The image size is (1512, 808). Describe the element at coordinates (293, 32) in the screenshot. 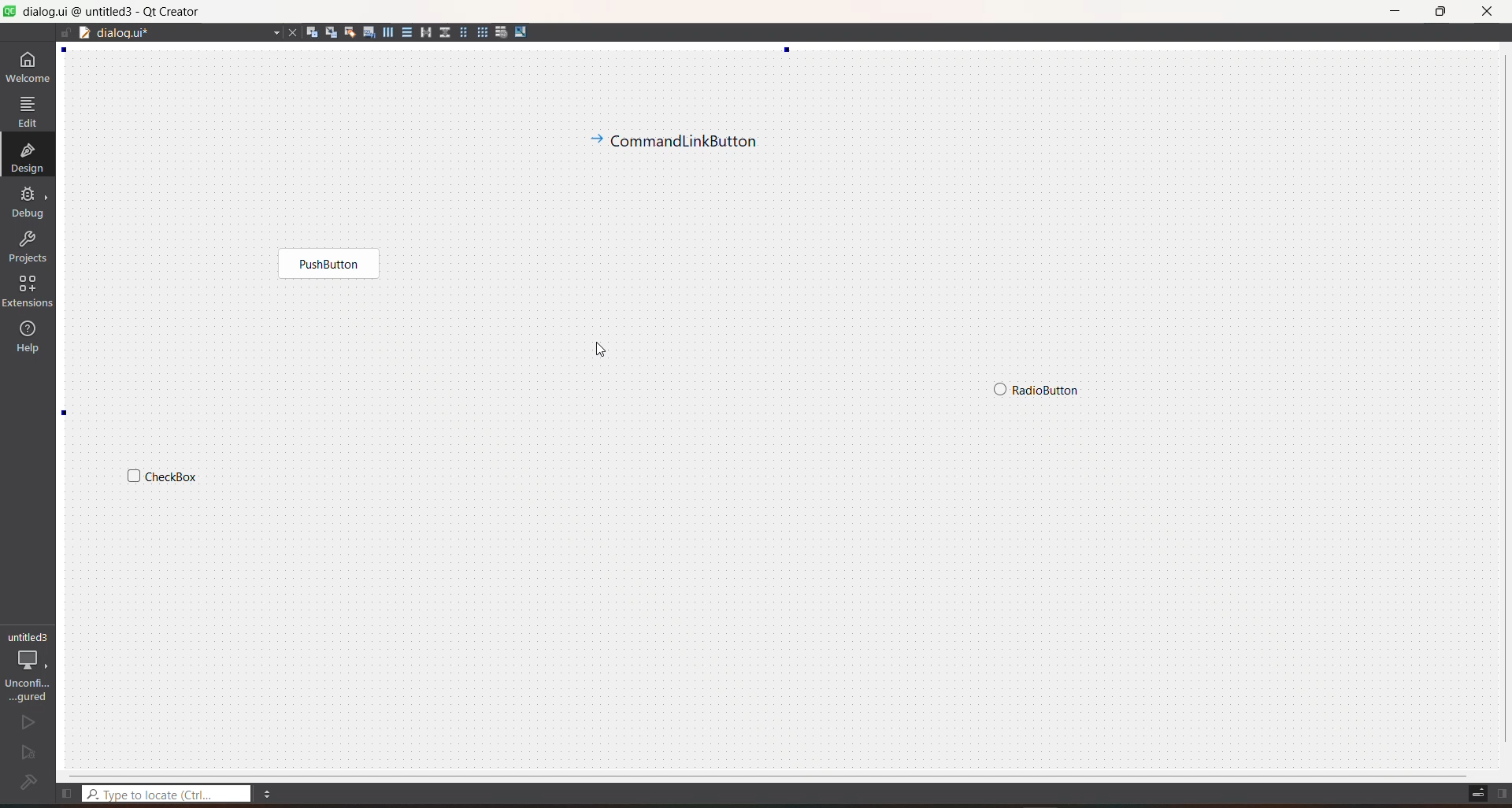

I see `close file` at that location.